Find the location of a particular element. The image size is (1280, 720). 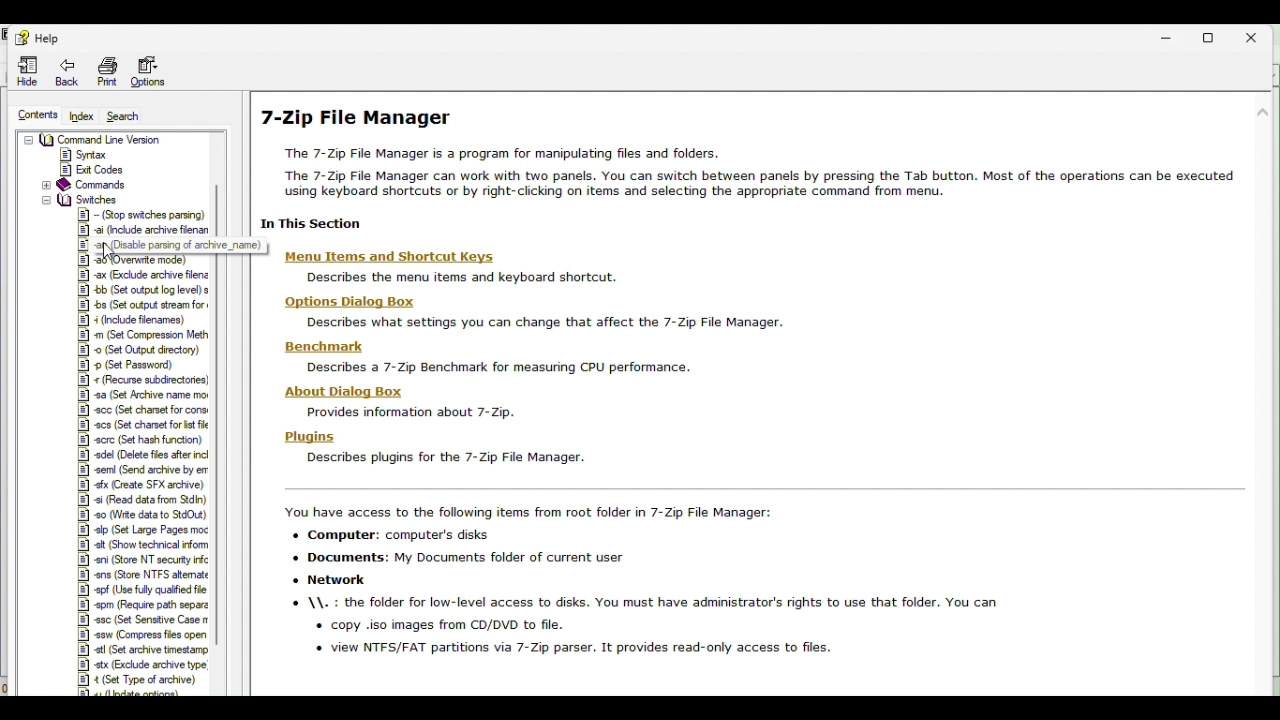

7] + (Read data from Sdn) is located at coordinates (137, 498).